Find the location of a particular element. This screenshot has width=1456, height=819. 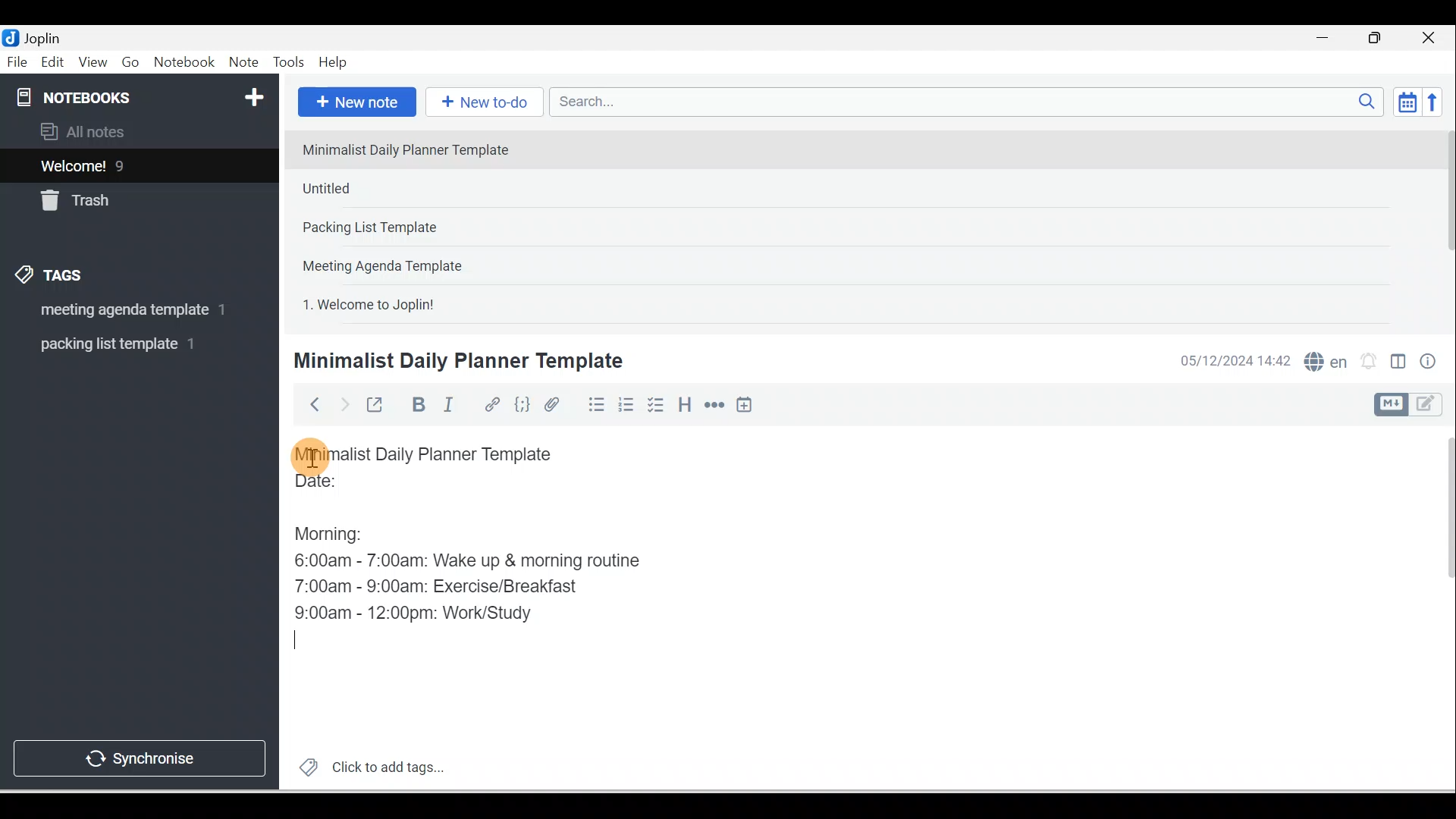

Set alarm is located at coordinates (1367, 362).